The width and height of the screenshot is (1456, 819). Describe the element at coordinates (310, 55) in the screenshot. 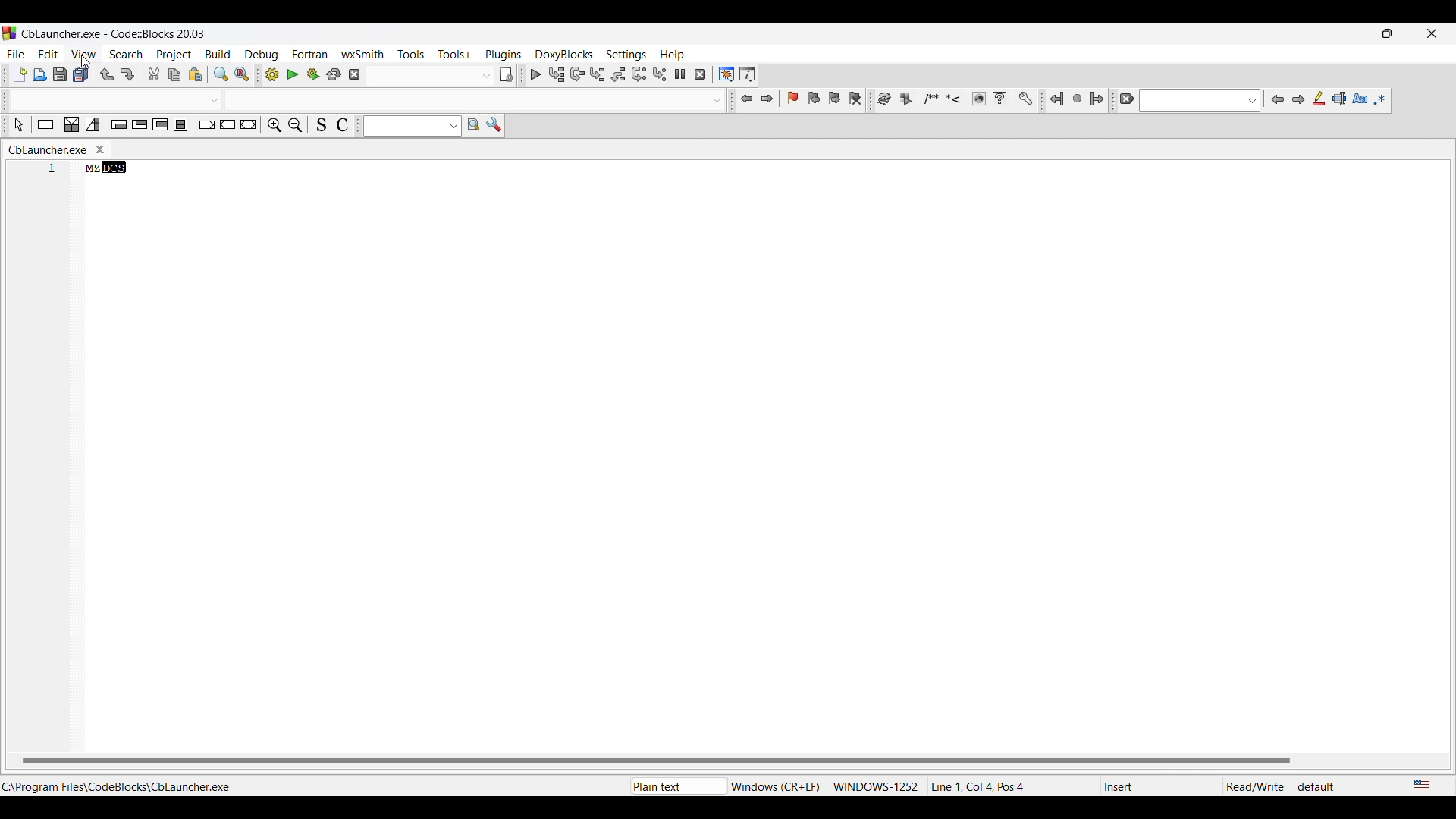

I see `Fortran menu` at that location.